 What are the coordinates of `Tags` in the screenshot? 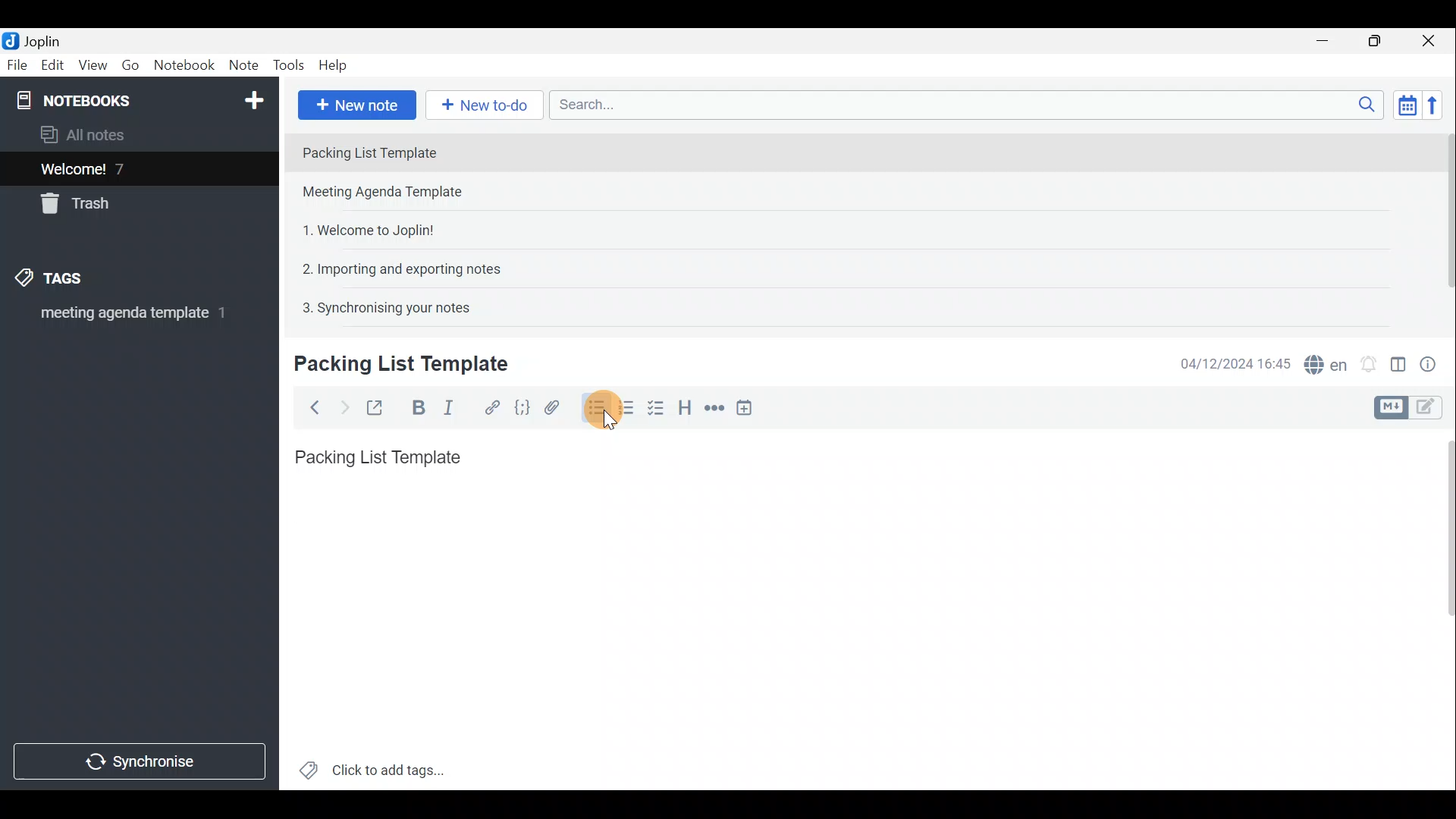 It's located at (74, 281).